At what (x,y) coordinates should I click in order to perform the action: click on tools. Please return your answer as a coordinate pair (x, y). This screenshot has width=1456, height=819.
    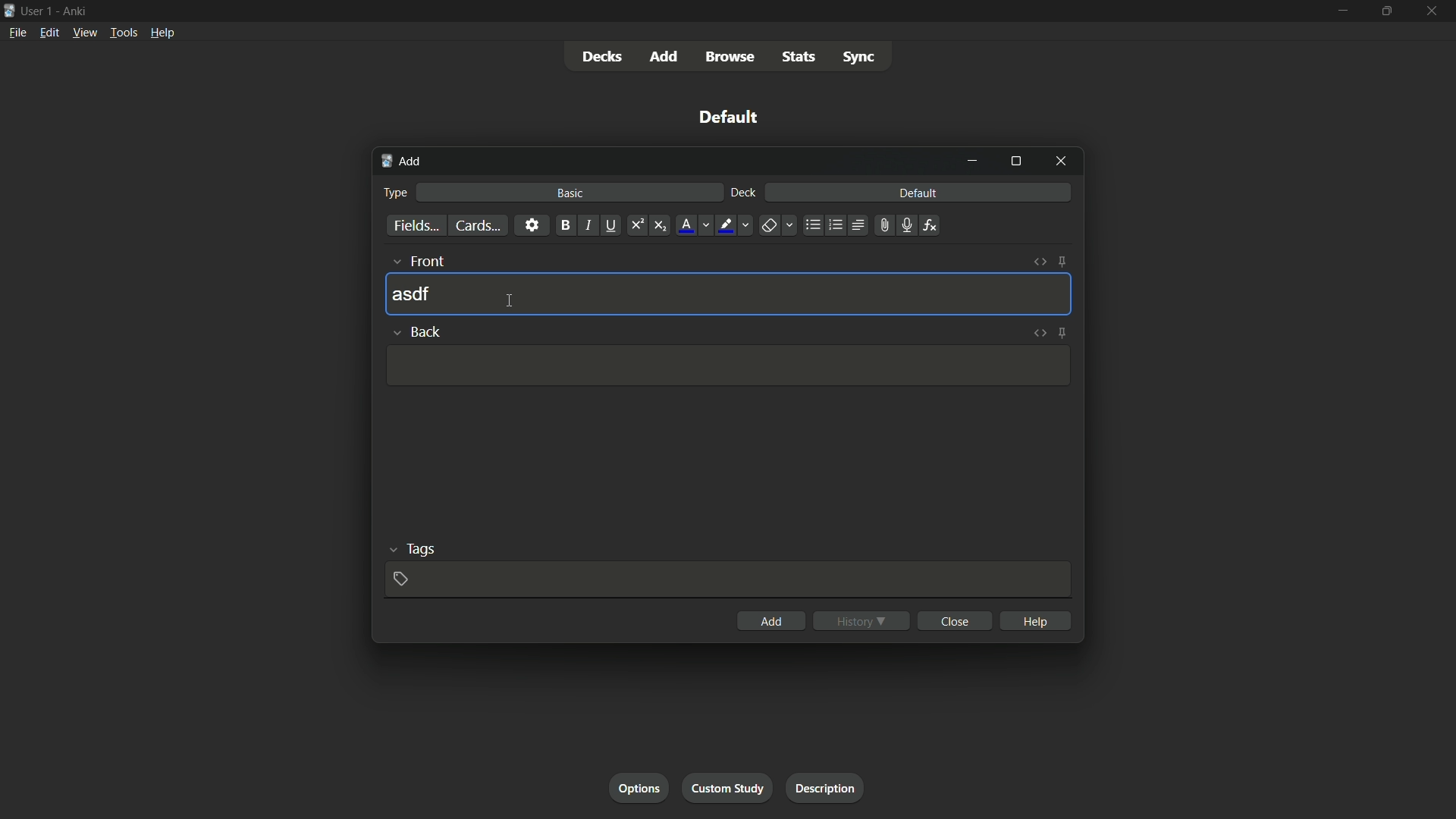
    Looking at the image, I should click on (122, 34).